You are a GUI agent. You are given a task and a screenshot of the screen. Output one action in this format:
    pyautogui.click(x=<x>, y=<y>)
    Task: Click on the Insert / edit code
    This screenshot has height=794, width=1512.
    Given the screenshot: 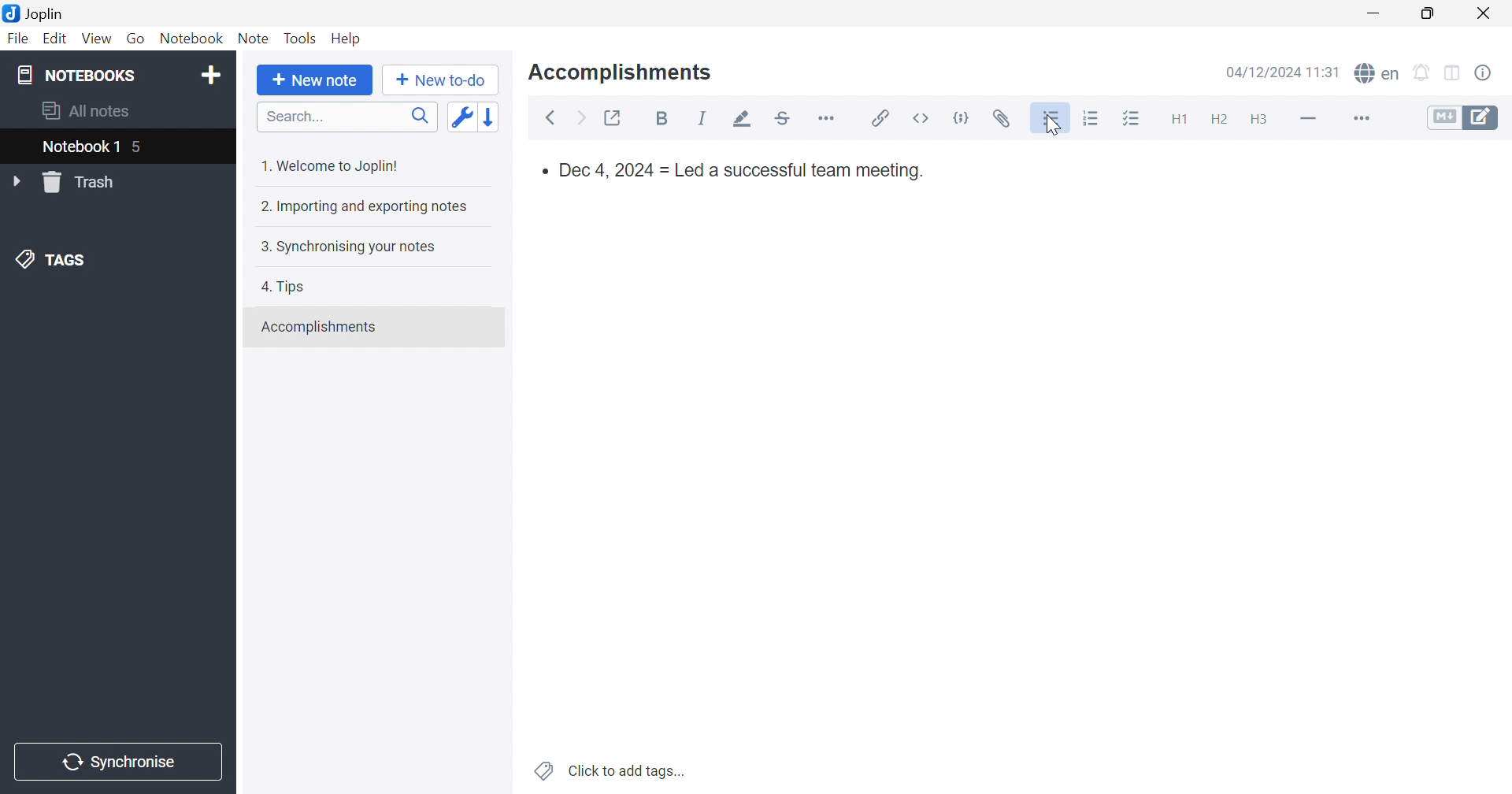 What is the action you would take?
    pyautogui.click(x=877, y=118)
    